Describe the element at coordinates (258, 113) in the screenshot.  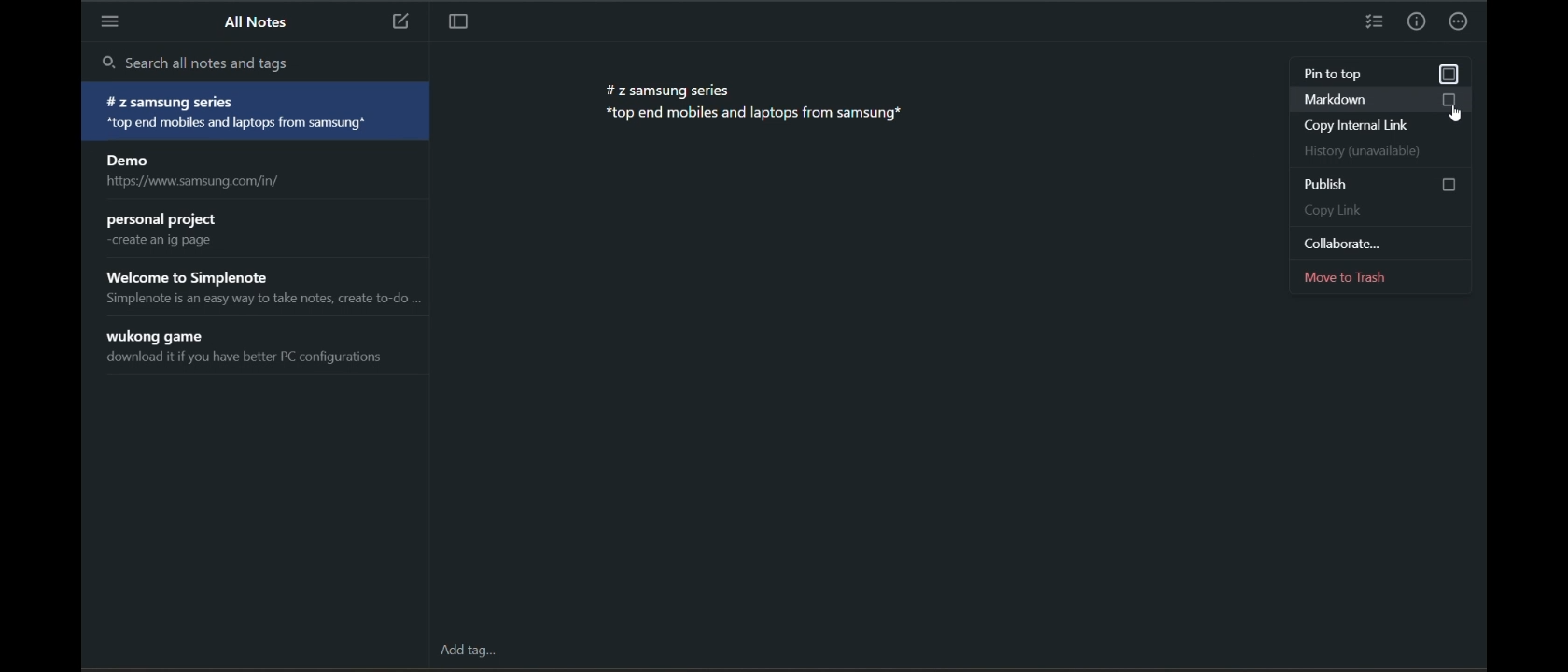
I see `#Z samsung series *top end mobiles and laptops from samsung*` at that location.